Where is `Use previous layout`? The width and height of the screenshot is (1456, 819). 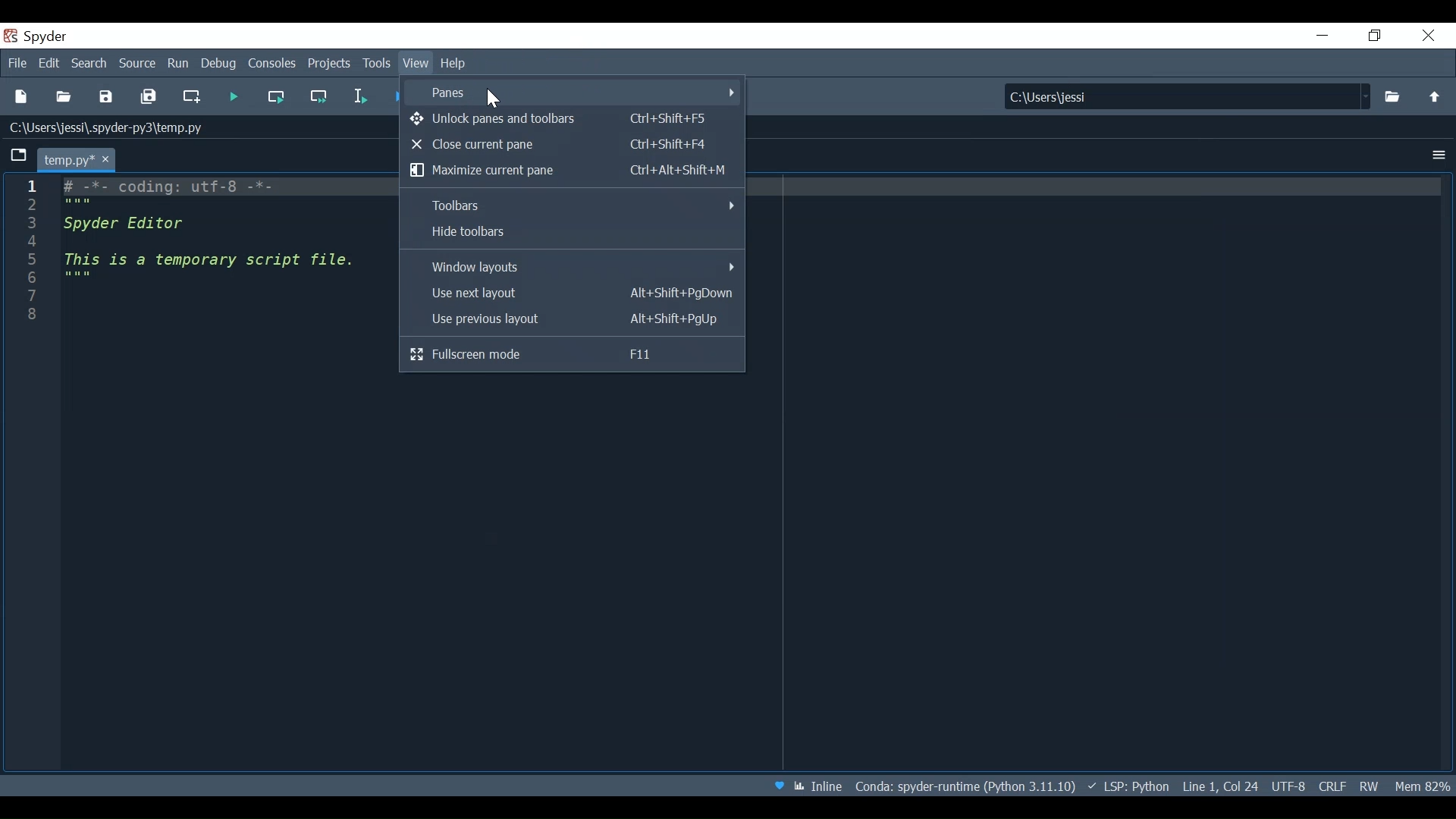
Use previous layout is located at coordinates (570, 320).